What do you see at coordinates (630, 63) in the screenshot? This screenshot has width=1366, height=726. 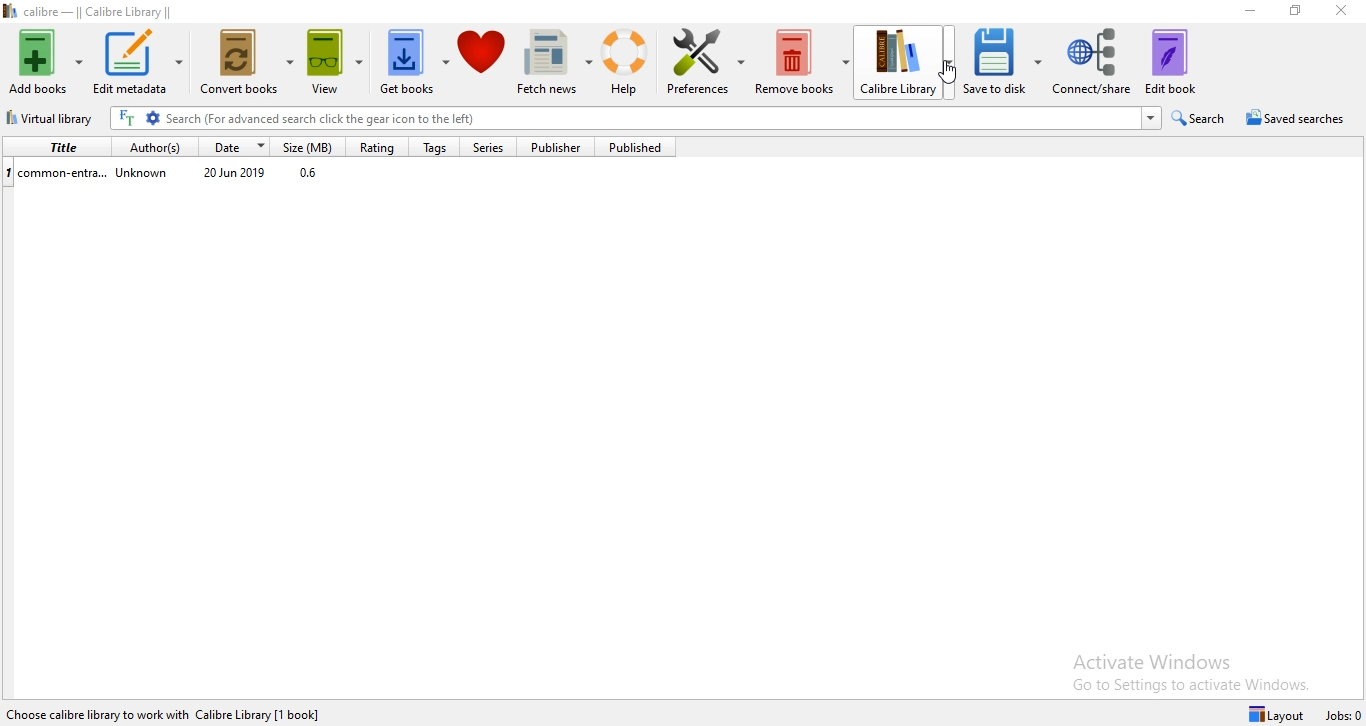 I see `Help` at bounding box center [630, 63].